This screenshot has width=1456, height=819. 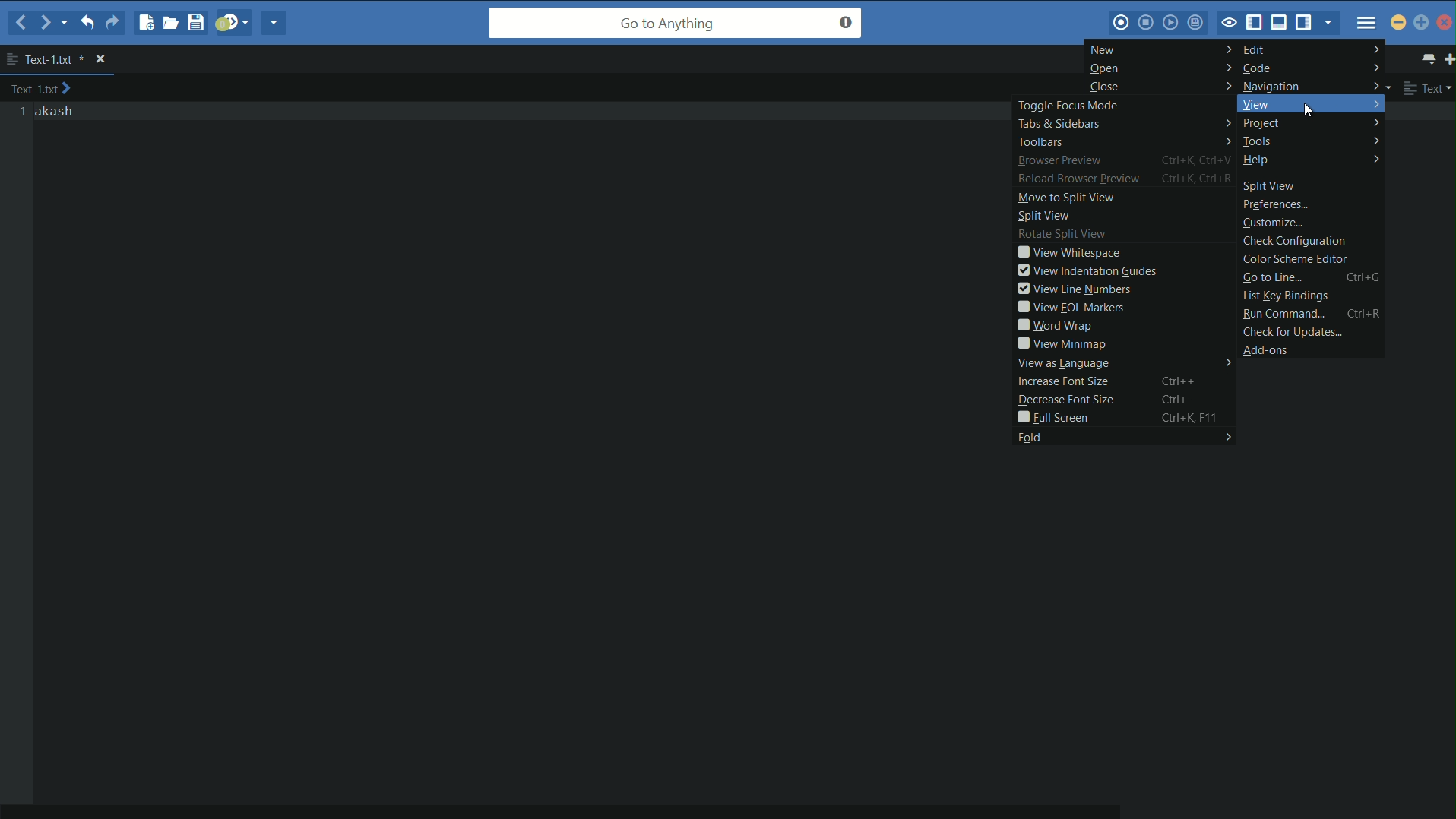 I want to click on view minimap, so click(x=1124, y=343).